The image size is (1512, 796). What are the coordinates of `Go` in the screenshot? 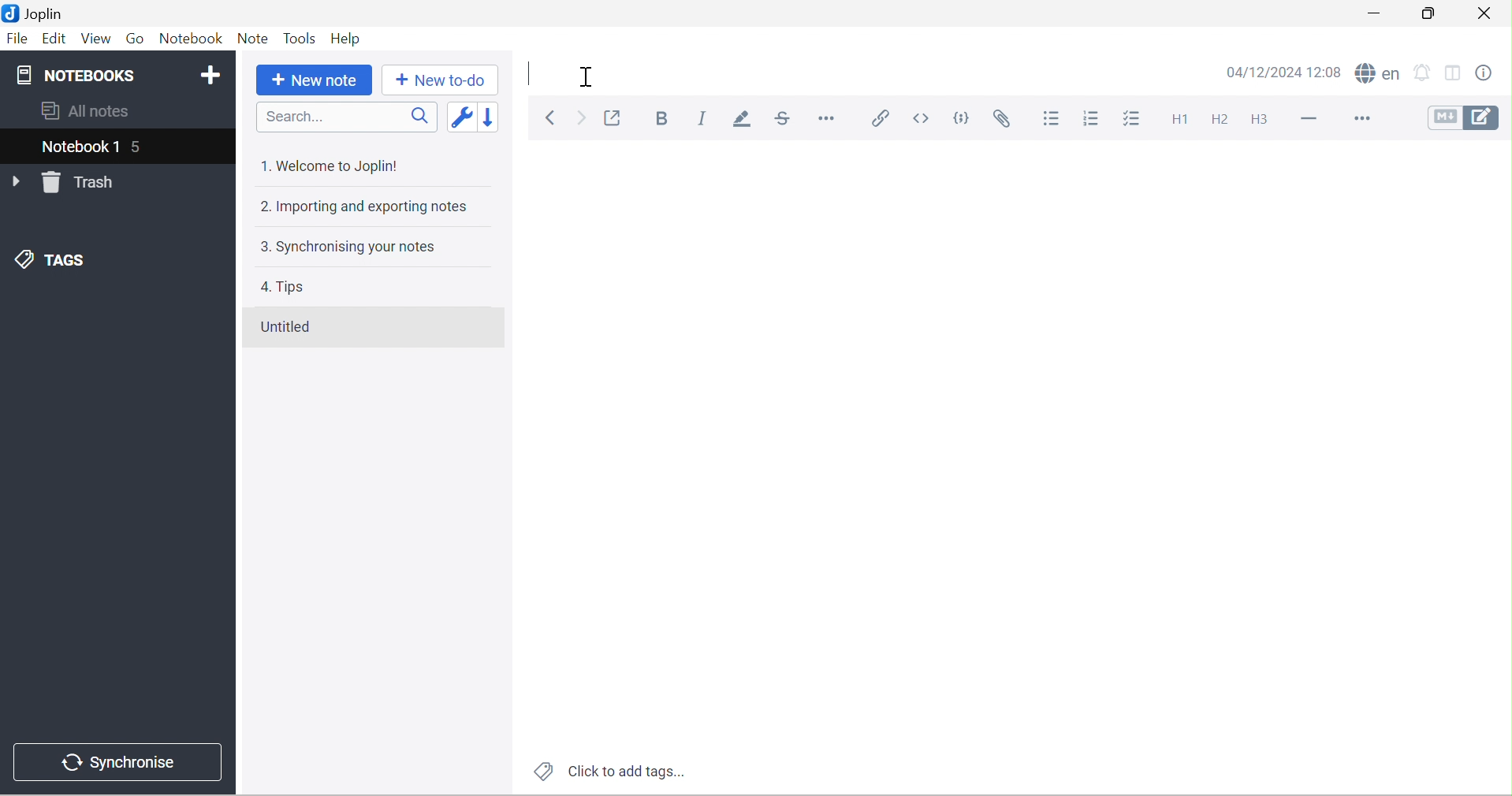 It's located at (136, 38).